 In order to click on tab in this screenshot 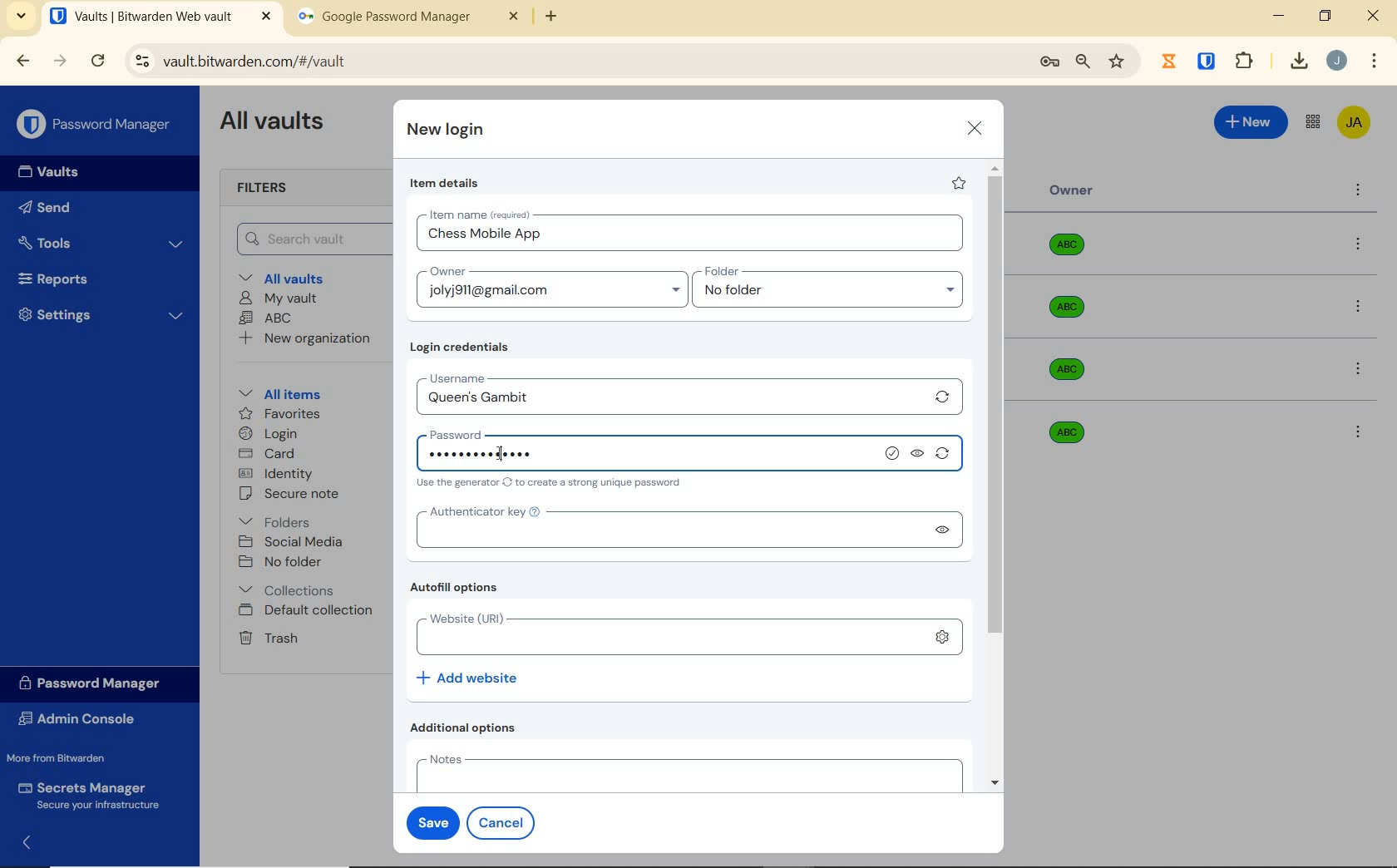, I will do `click(408, 20)`.